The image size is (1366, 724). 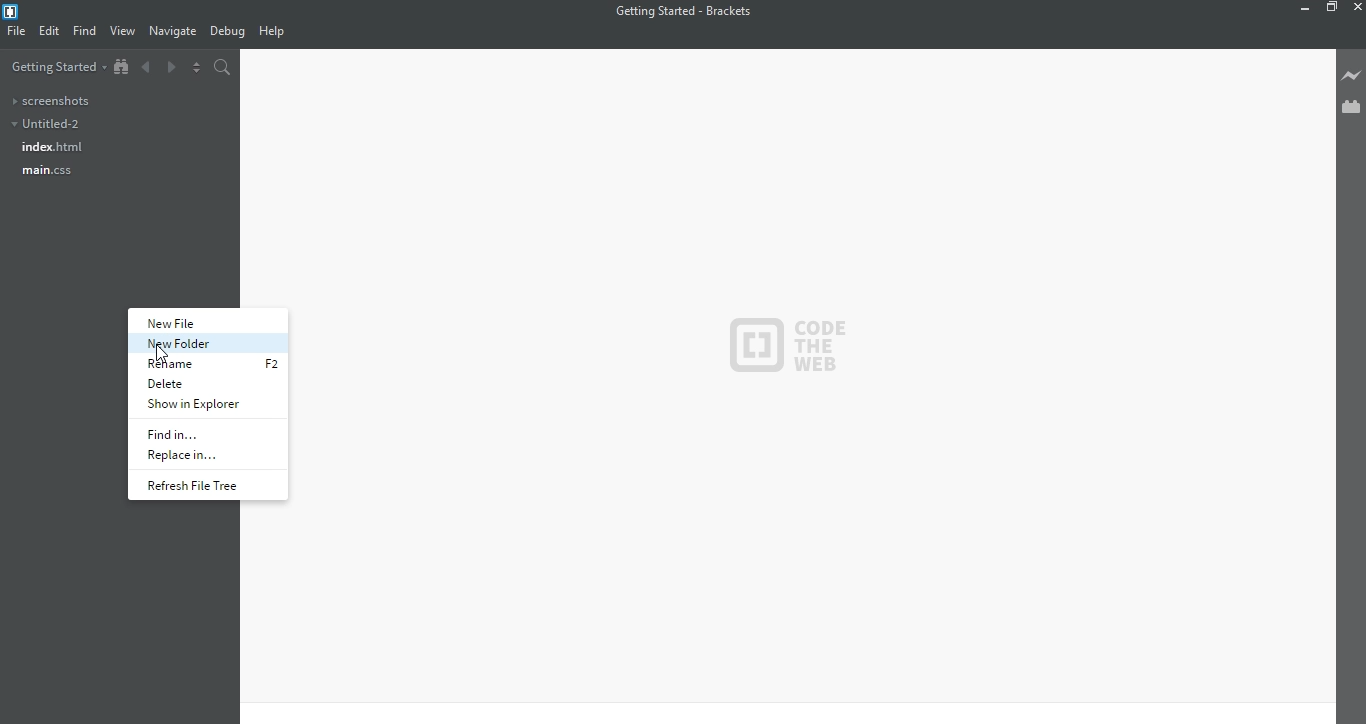 What do you see at coordinates (197, 67) in the screenshot?
I see `toggle` at bounding box center [197, 67].